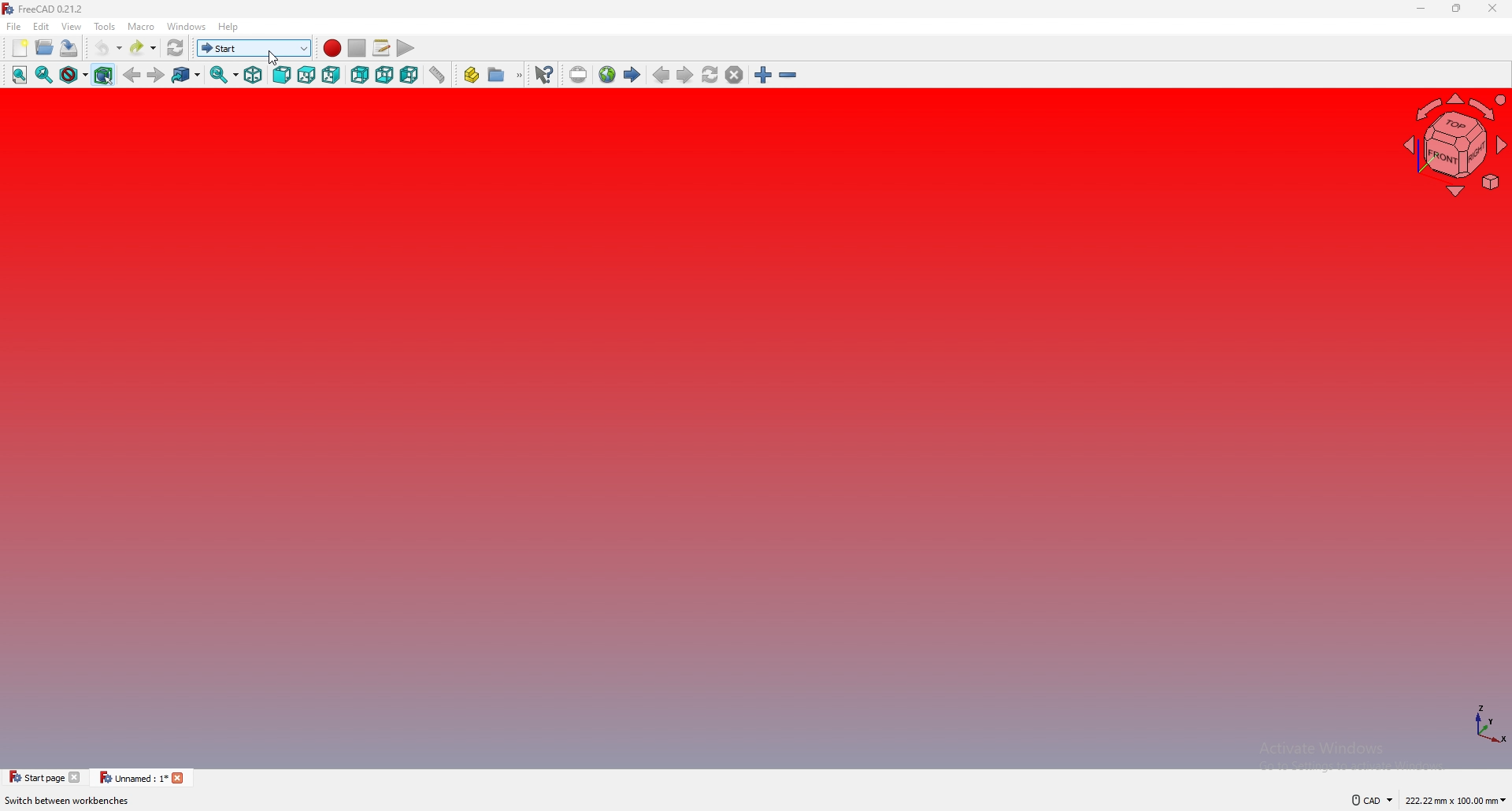 This screenshot has width=1512, height=811. I want to click on zoom out, so click(788, 74).